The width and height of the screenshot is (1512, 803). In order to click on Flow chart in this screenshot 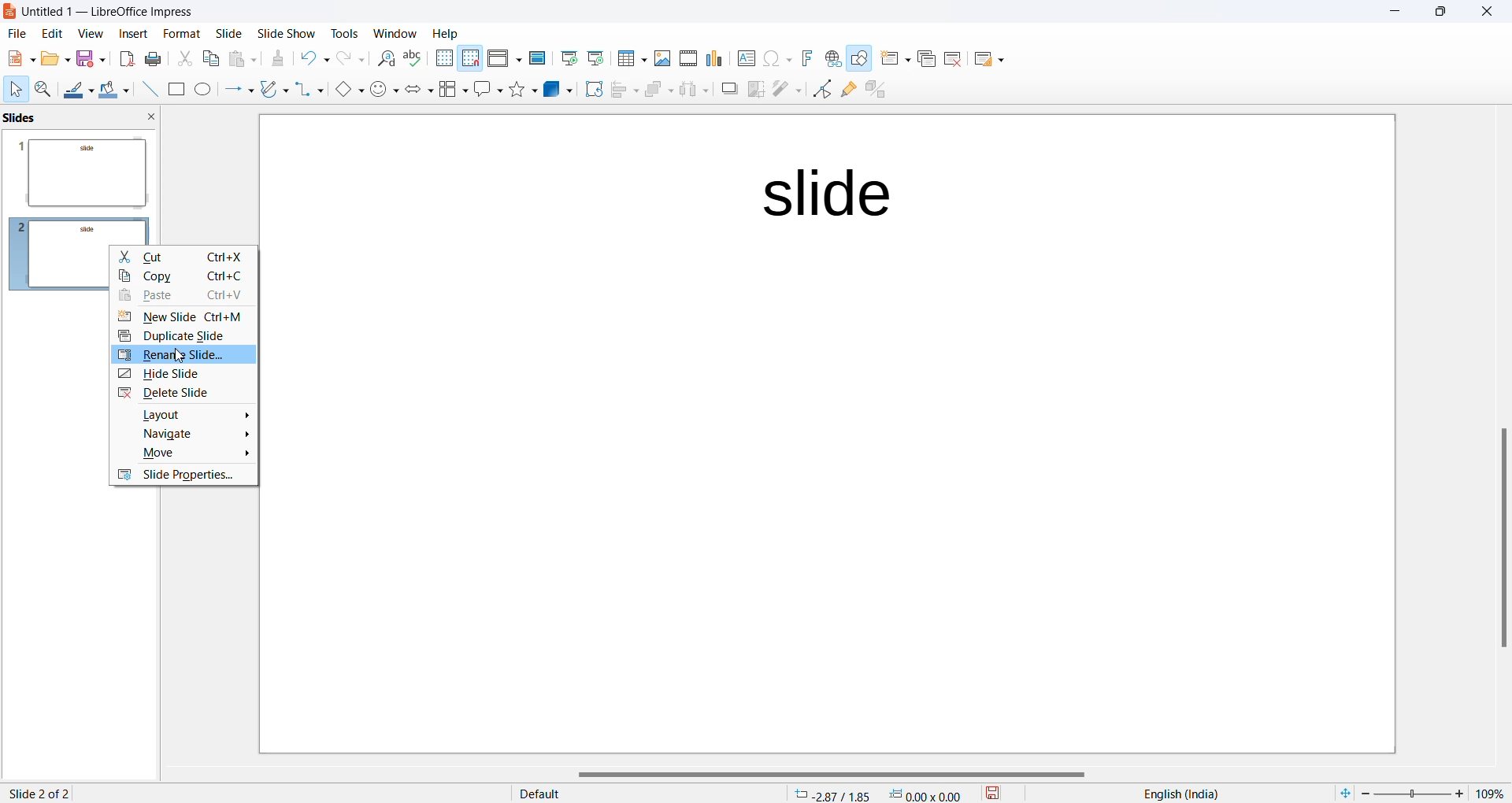, I will do `click(451, 90)`.